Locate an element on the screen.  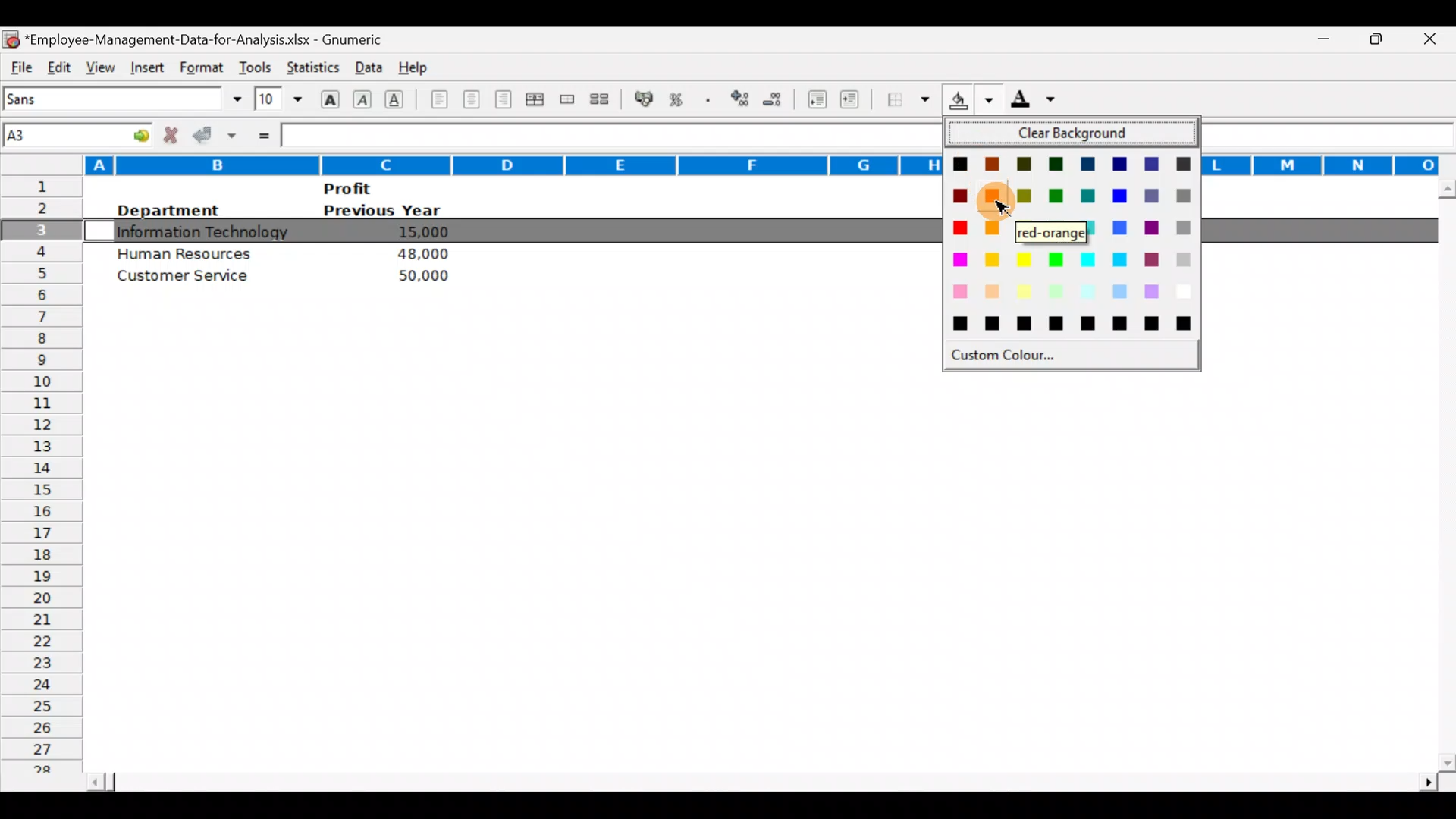
Help is located at coordinates (414, 64).